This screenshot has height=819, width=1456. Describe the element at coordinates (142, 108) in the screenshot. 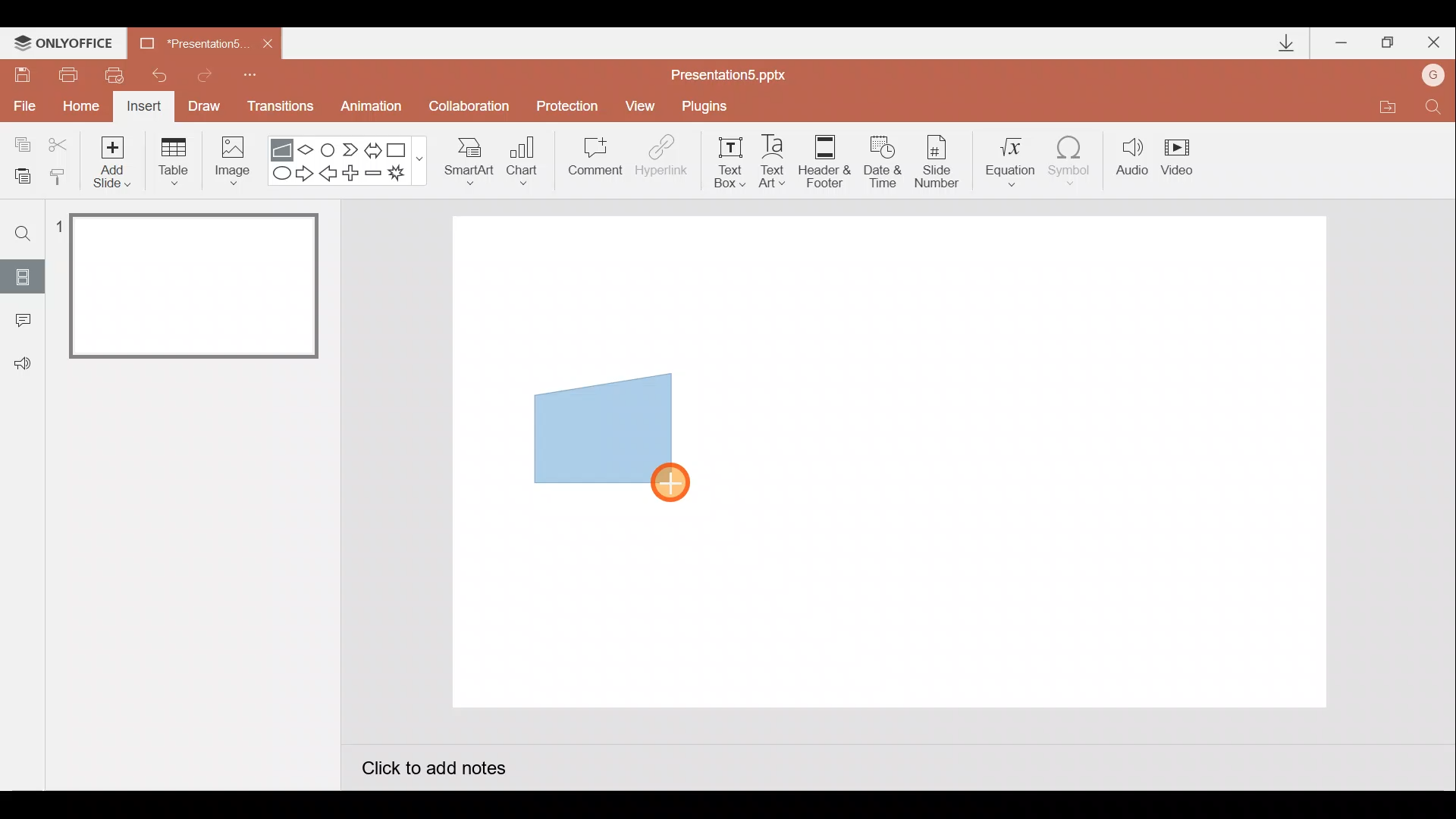

I see `Insert` at that location.